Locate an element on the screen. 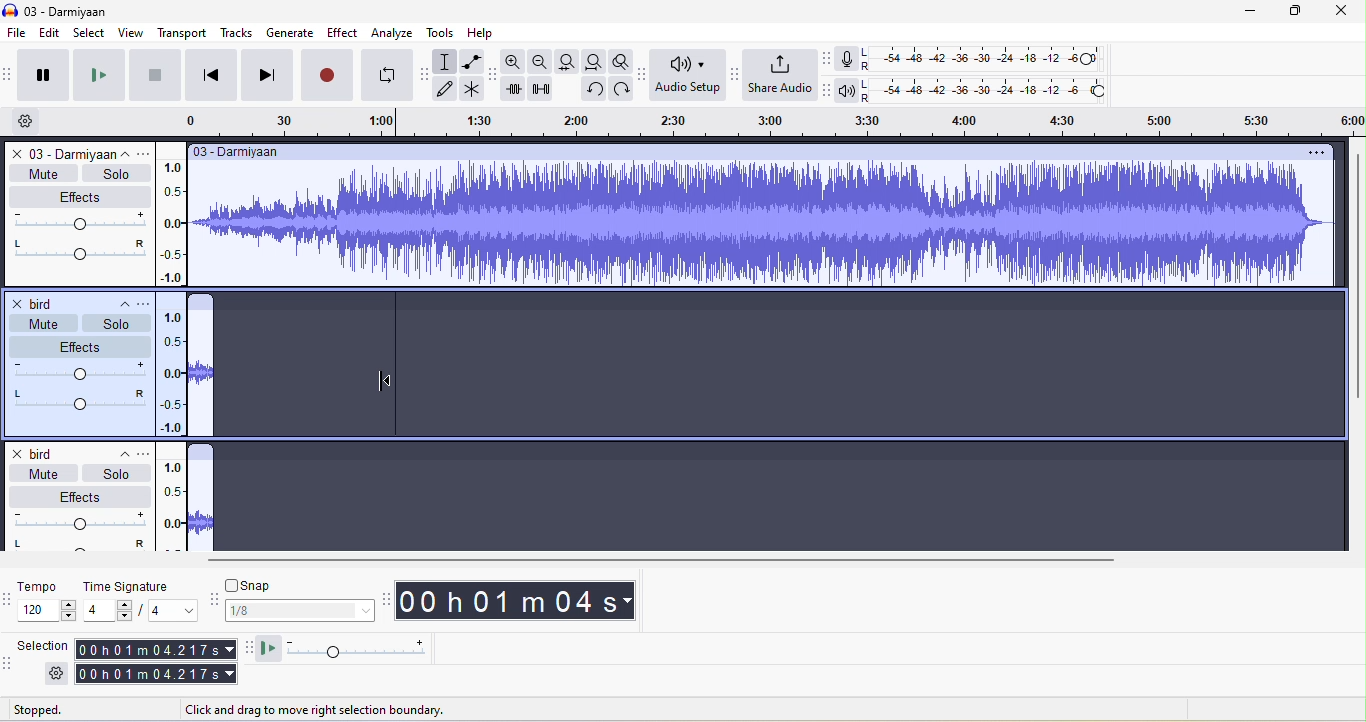  click and drag to move night selection boundary is located at coordinates (330, 711).